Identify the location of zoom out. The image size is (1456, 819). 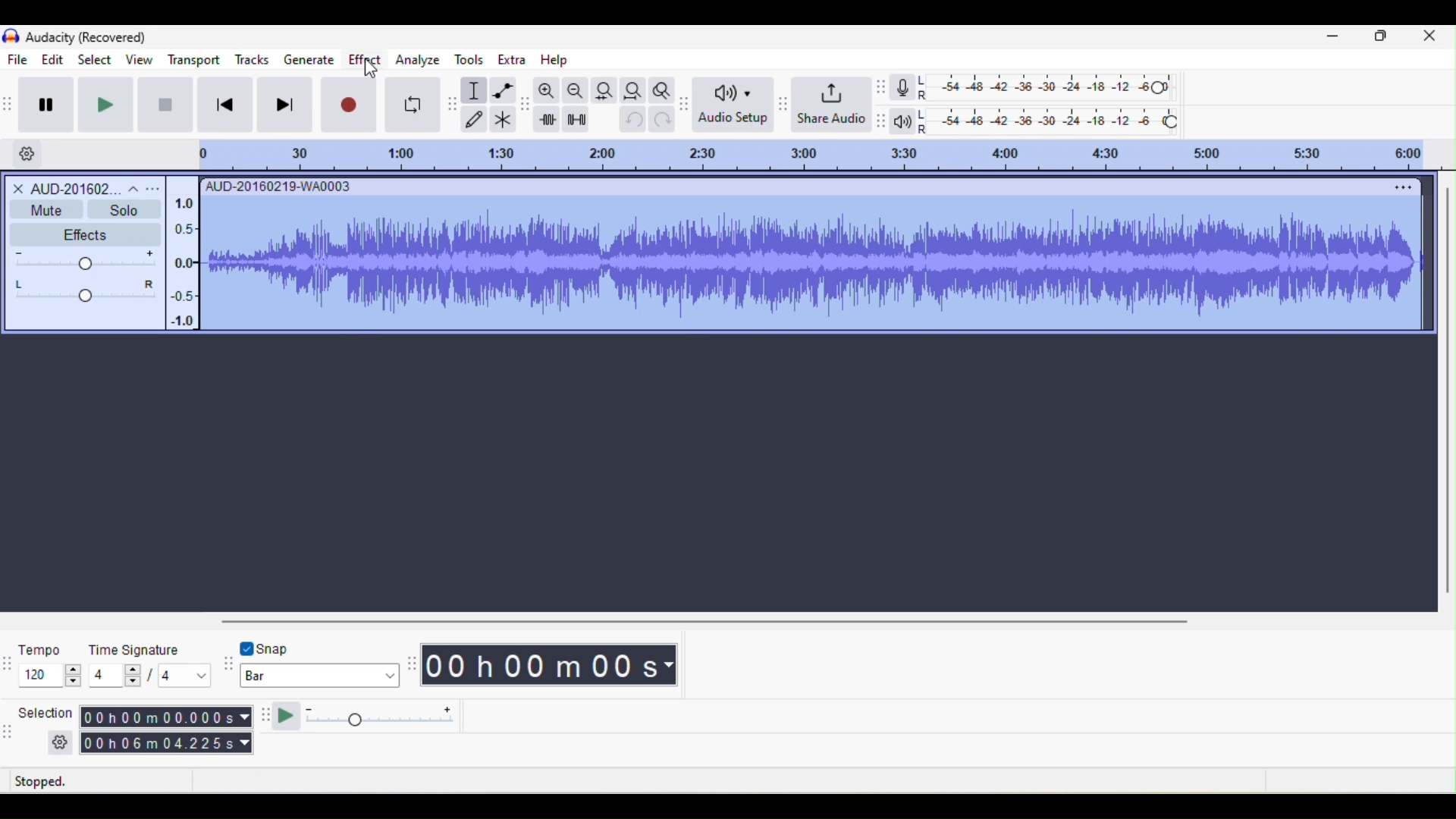
(574, 90).